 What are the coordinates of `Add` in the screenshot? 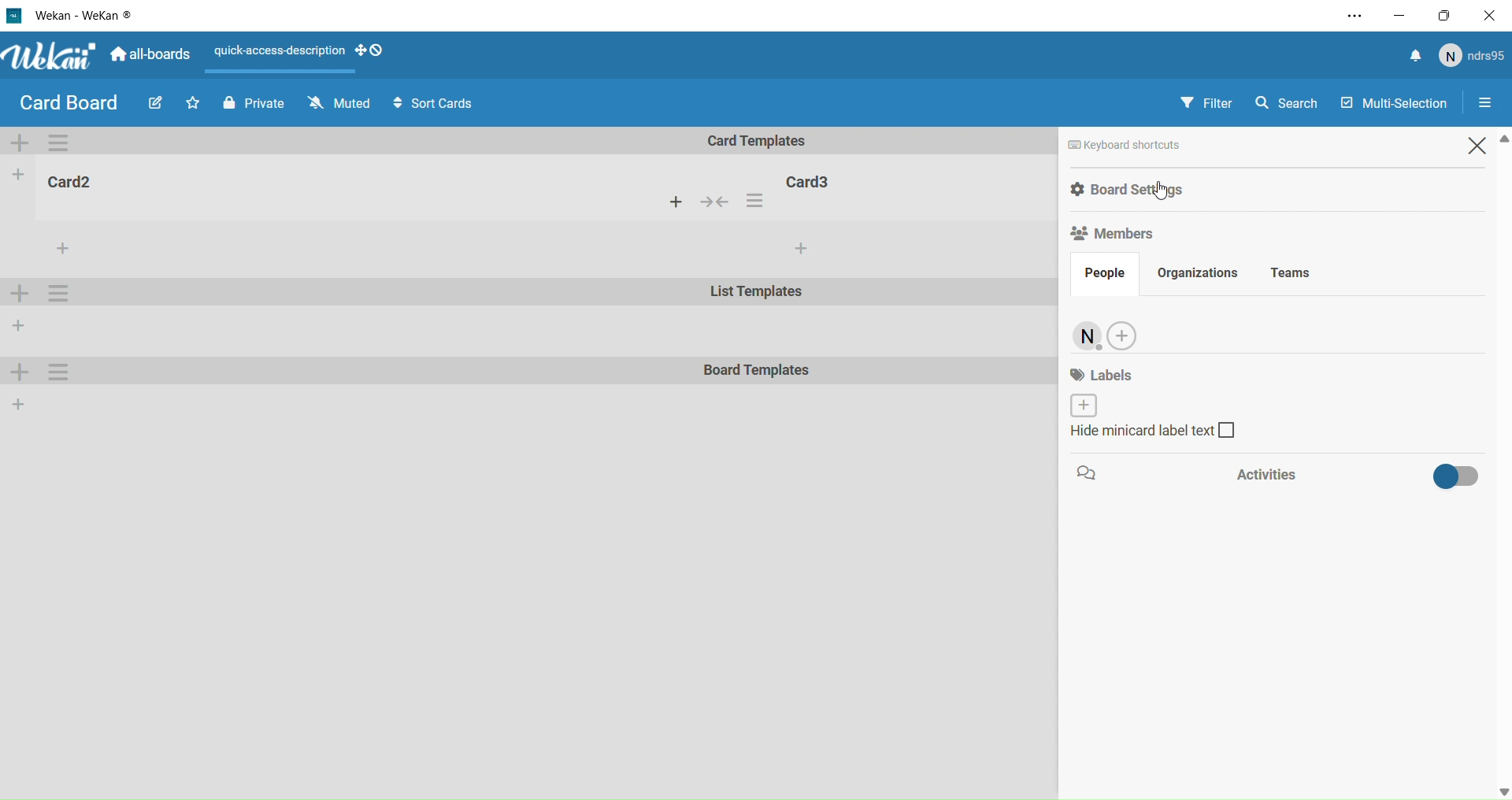 It's located at (22, 374).